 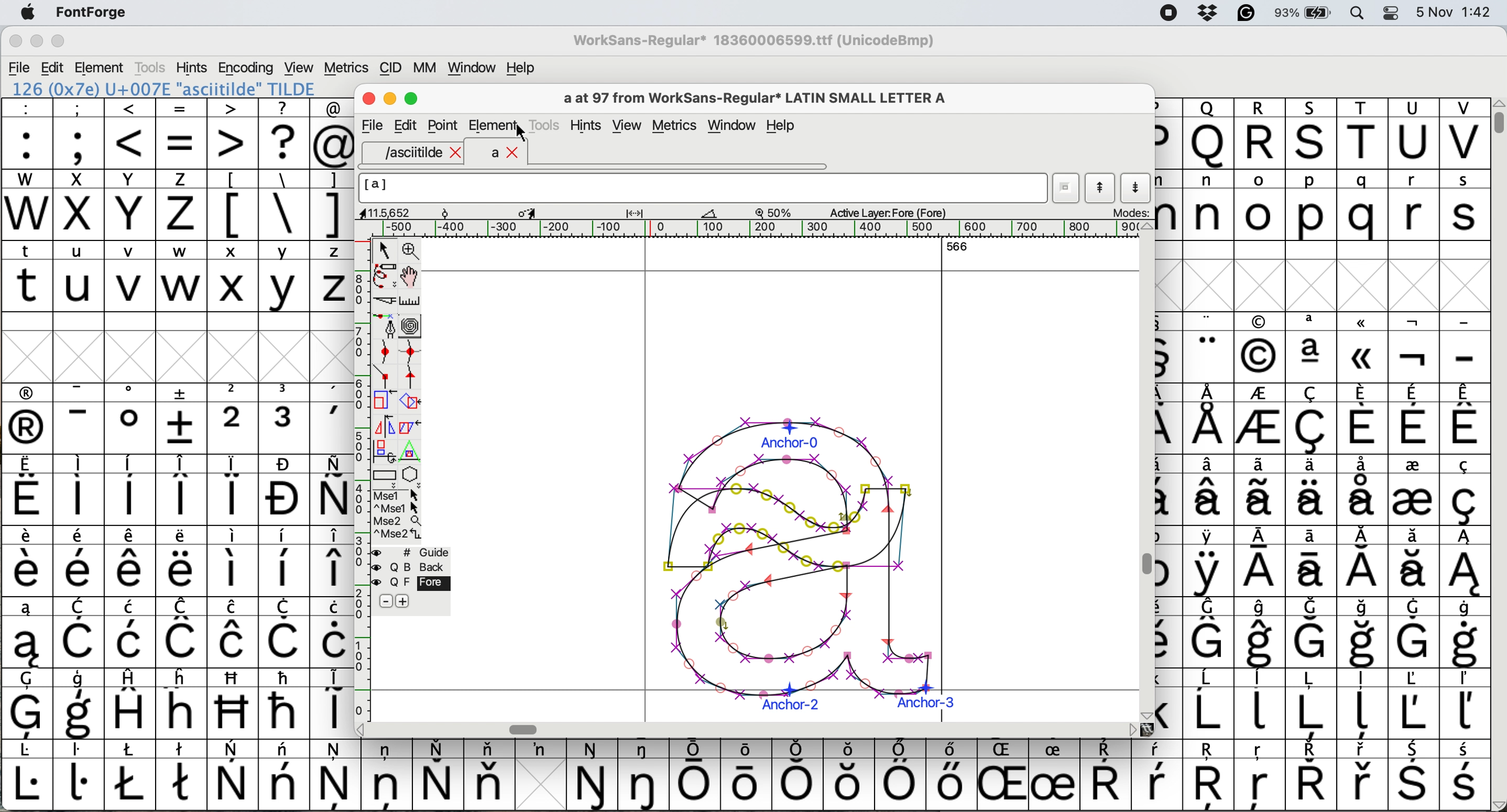 I want to click on symbol, so click(x=25, y=633).